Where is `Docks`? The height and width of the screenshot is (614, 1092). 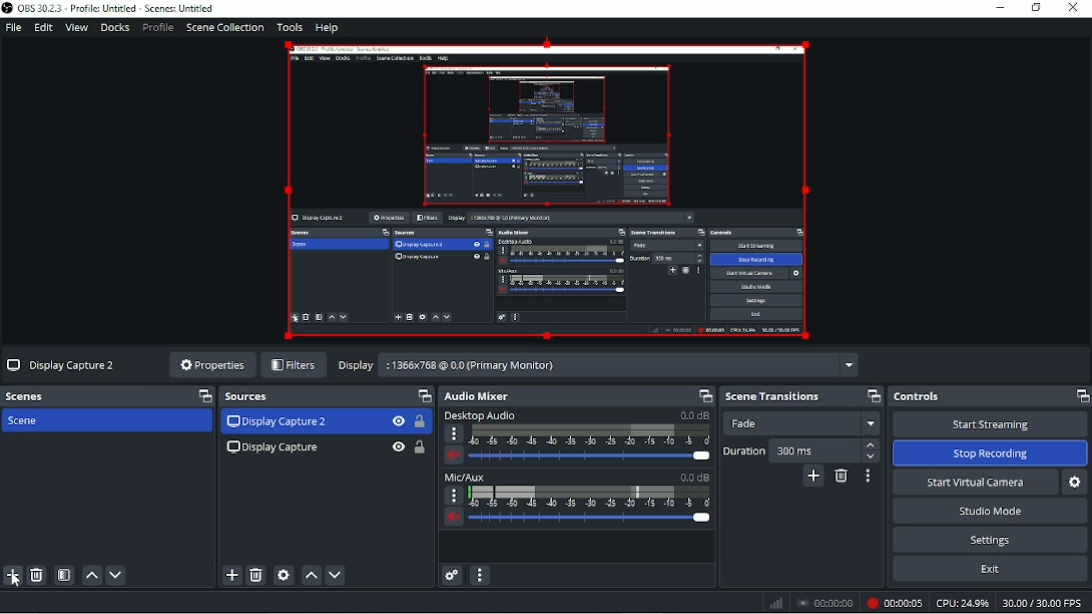 Docks is located at coordinates (115, 29).